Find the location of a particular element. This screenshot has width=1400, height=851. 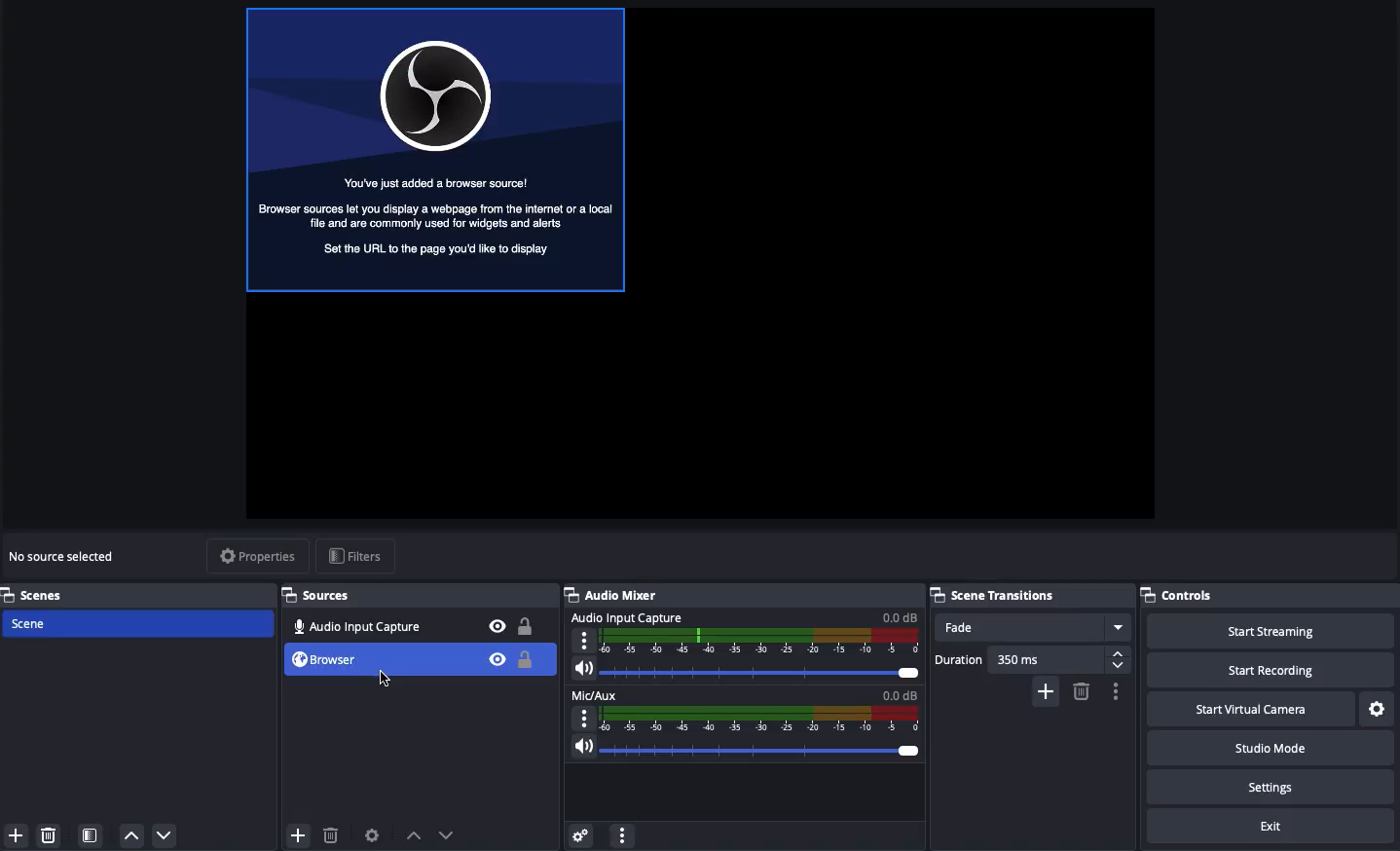

Properties is located at coordinates (259, 555).